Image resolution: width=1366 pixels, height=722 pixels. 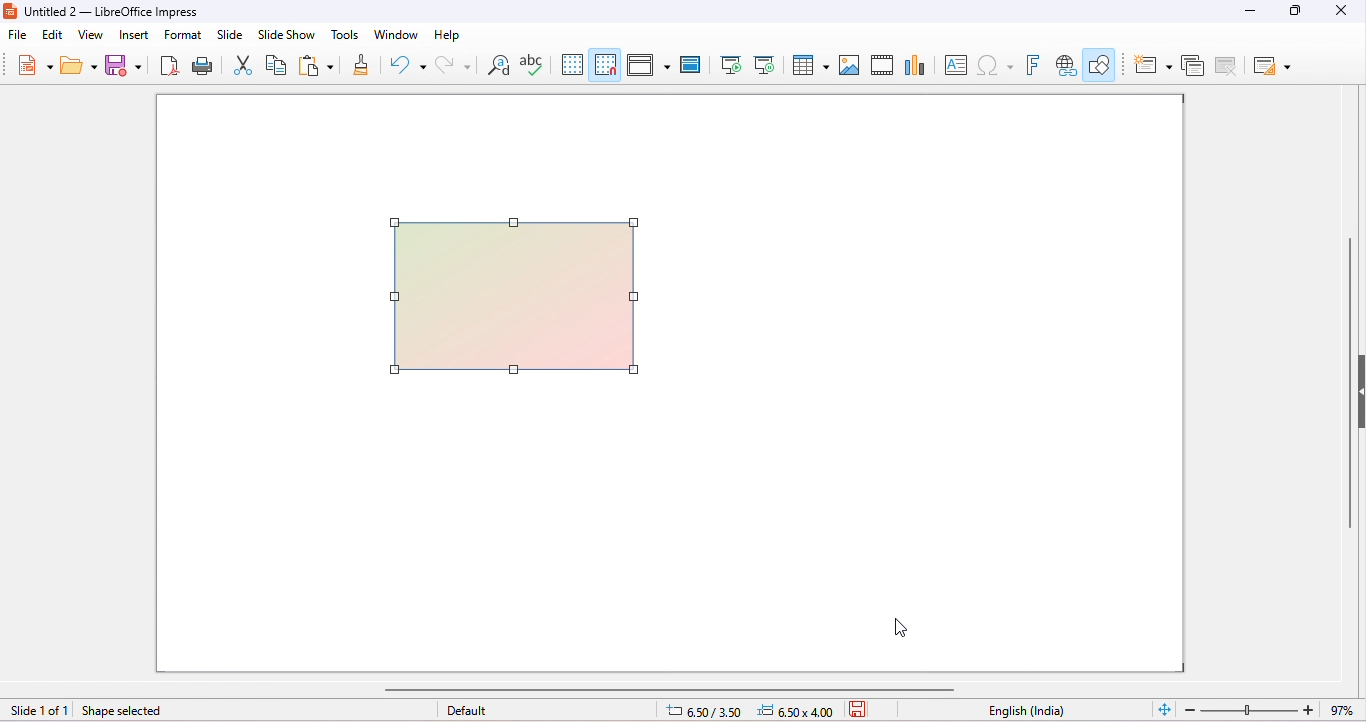 I want to click on insert, so click(x=132, y=34).